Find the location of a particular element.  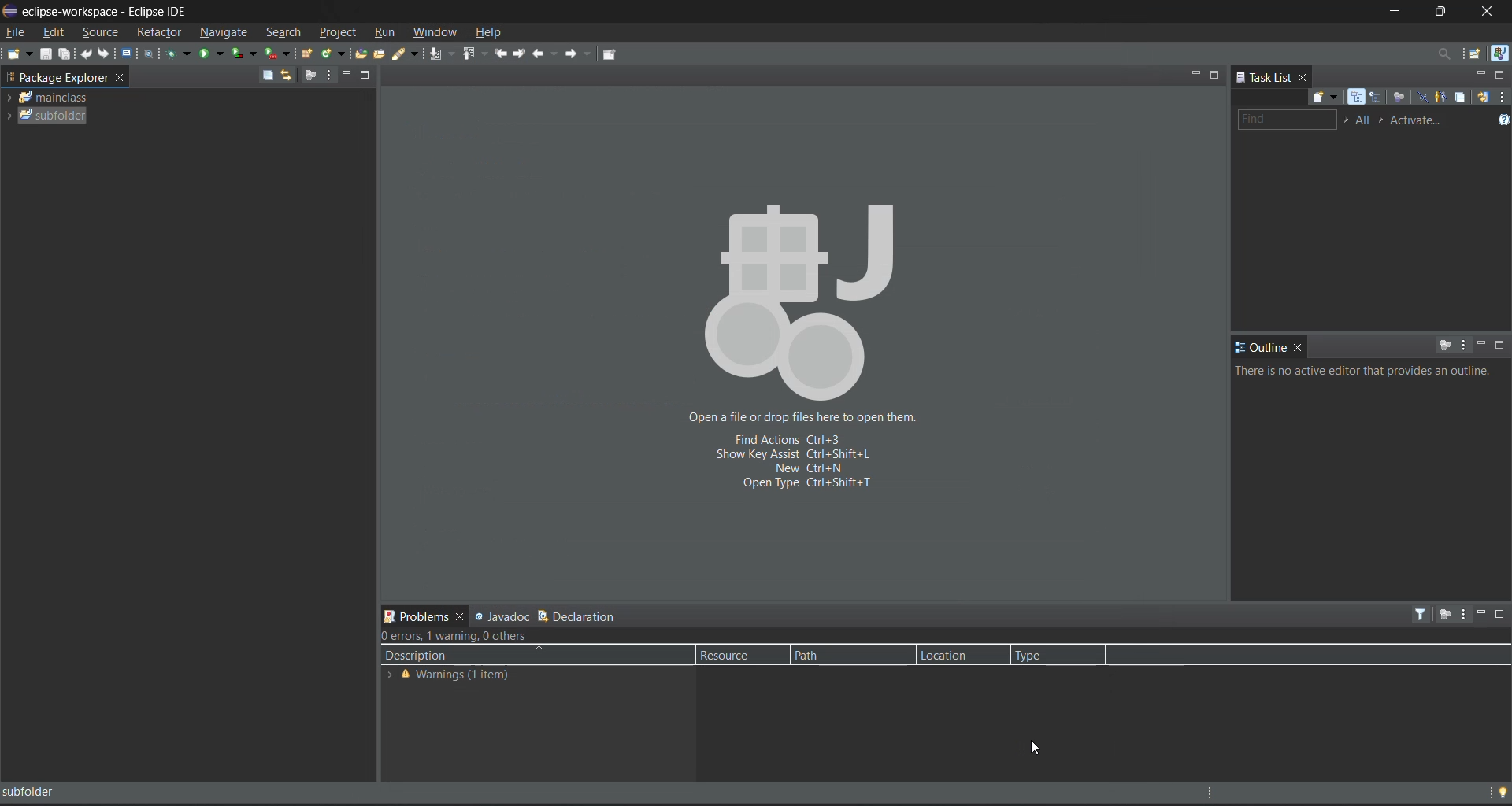

project is located at coordinates (339, 34).